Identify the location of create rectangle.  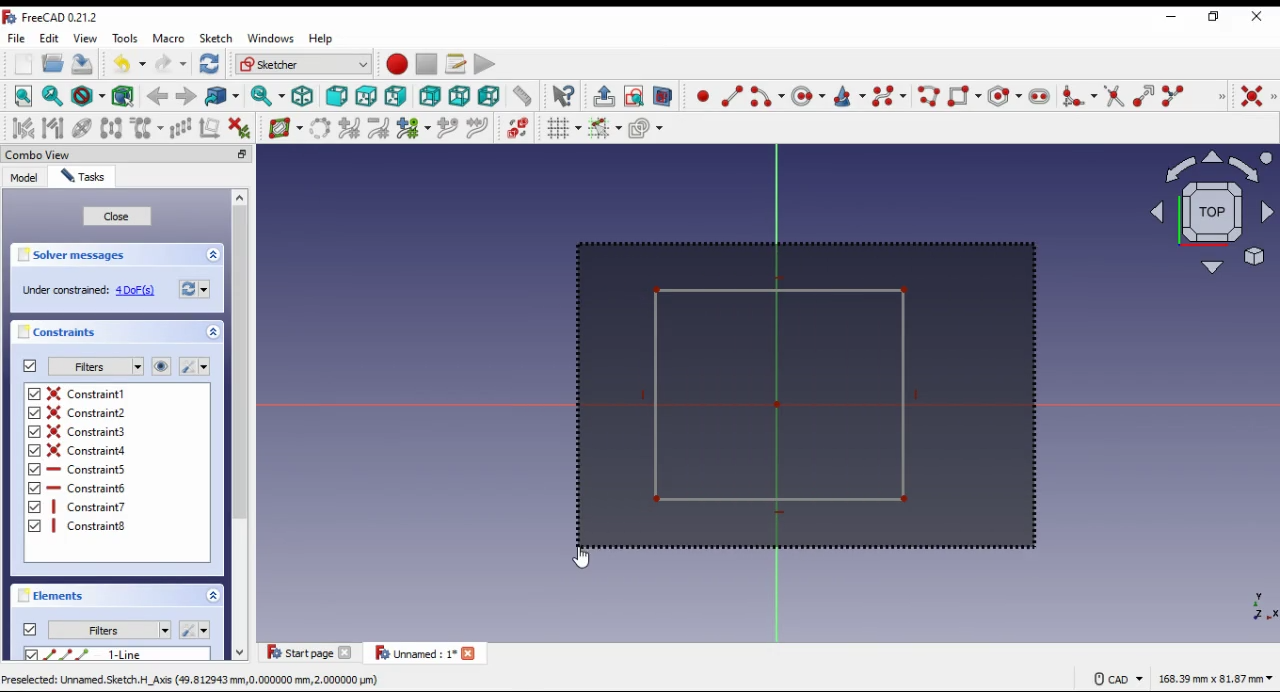
(965, 95).